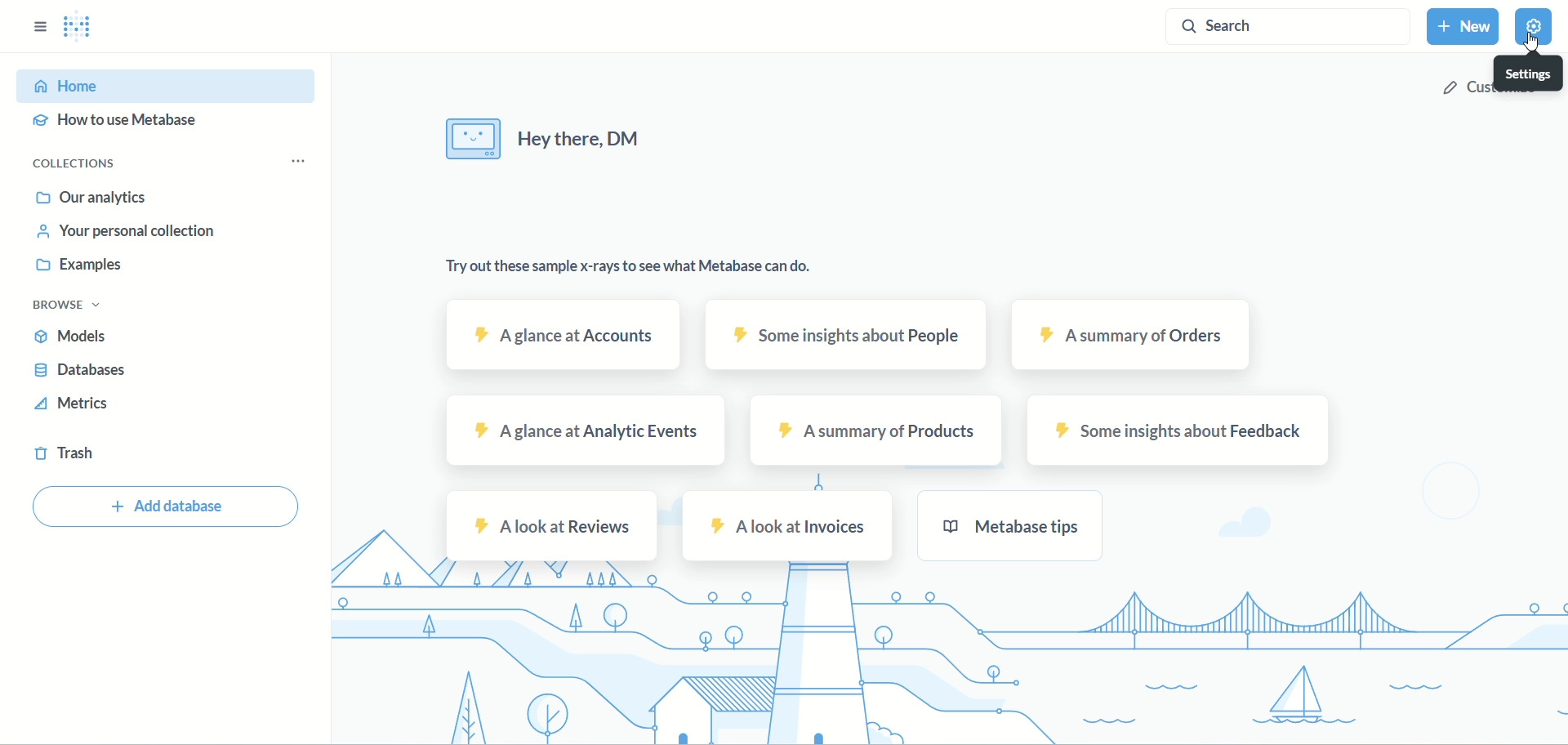 This screenshot has width=1568, height=745. Describe the element at coordinates (163, 507) in the screenshot. I see `add database` at that location.